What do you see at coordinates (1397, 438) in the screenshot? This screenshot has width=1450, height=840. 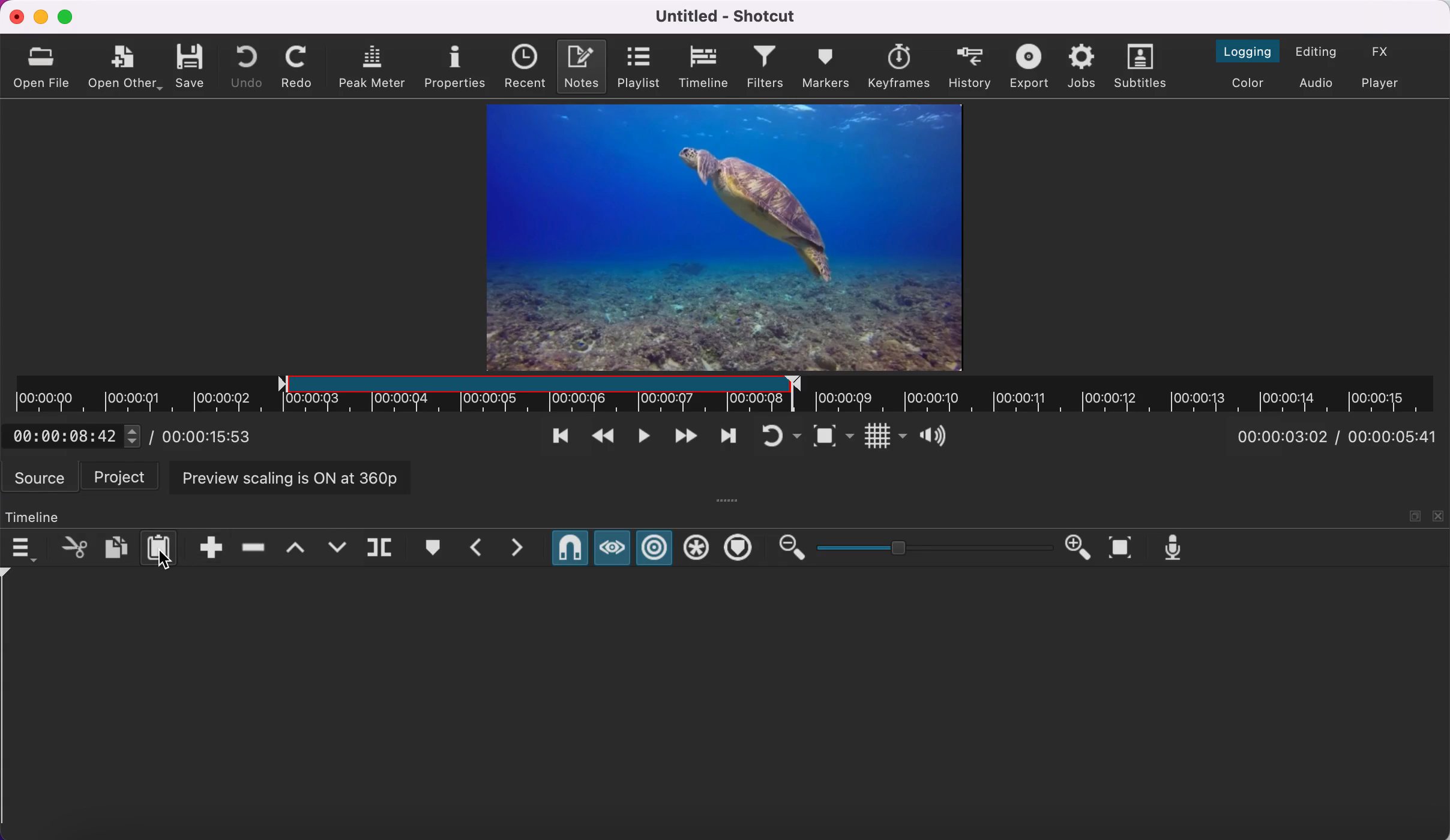 I see `total duration` at bounding box center [1397, 438].